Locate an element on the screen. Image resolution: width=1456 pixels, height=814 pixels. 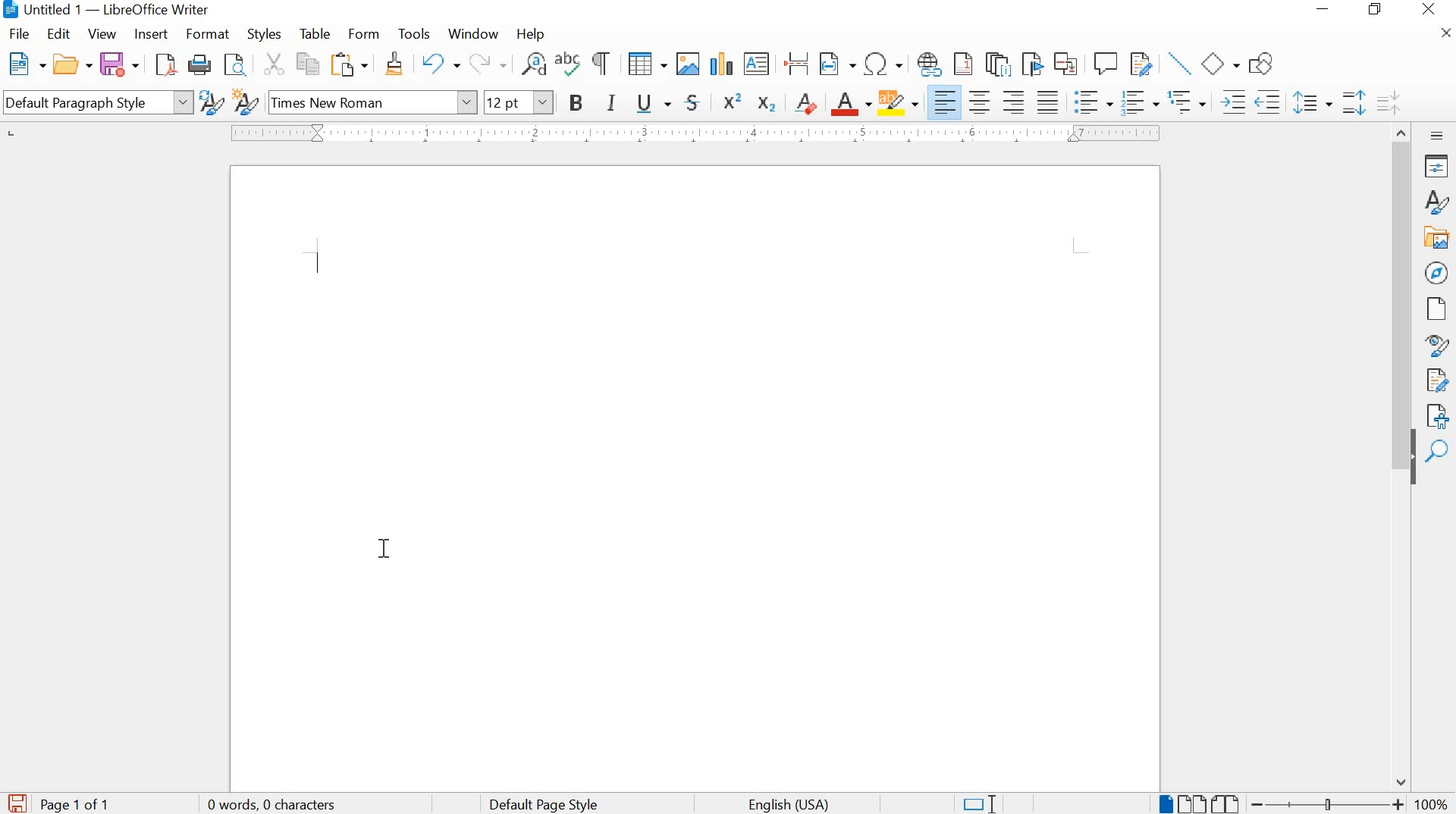
WORD AND CHARACTER COUNT is located at coordinates (277, 805).